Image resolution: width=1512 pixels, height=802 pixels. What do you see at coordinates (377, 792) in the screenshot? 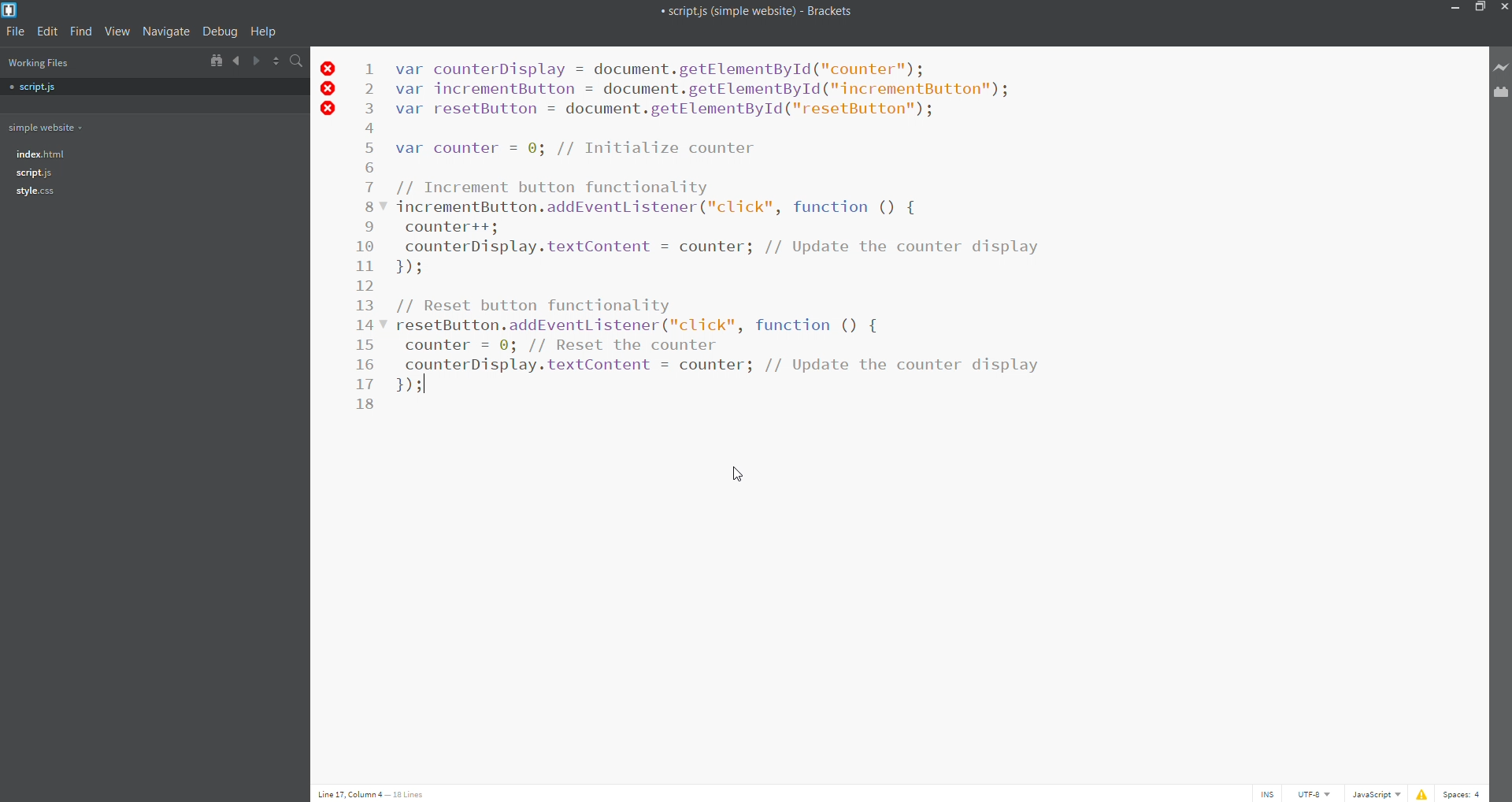
I see `Line 17, Column 4 -18 lines` at bounding box center [377, 792].